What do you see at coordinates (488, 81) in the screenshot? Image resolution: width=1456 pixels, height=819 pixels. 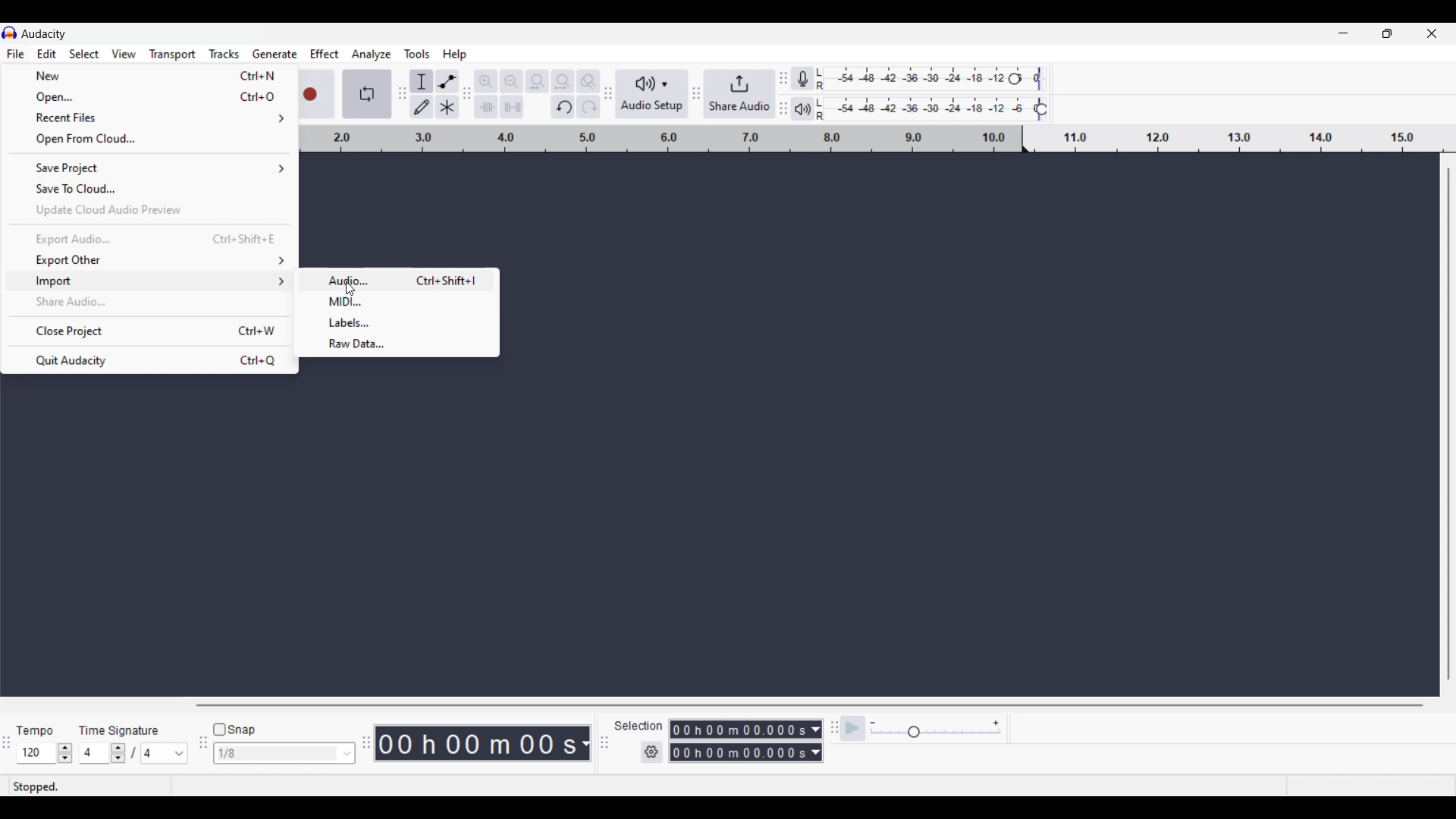 I see `Zoom in` at bounding box center [488, 81].